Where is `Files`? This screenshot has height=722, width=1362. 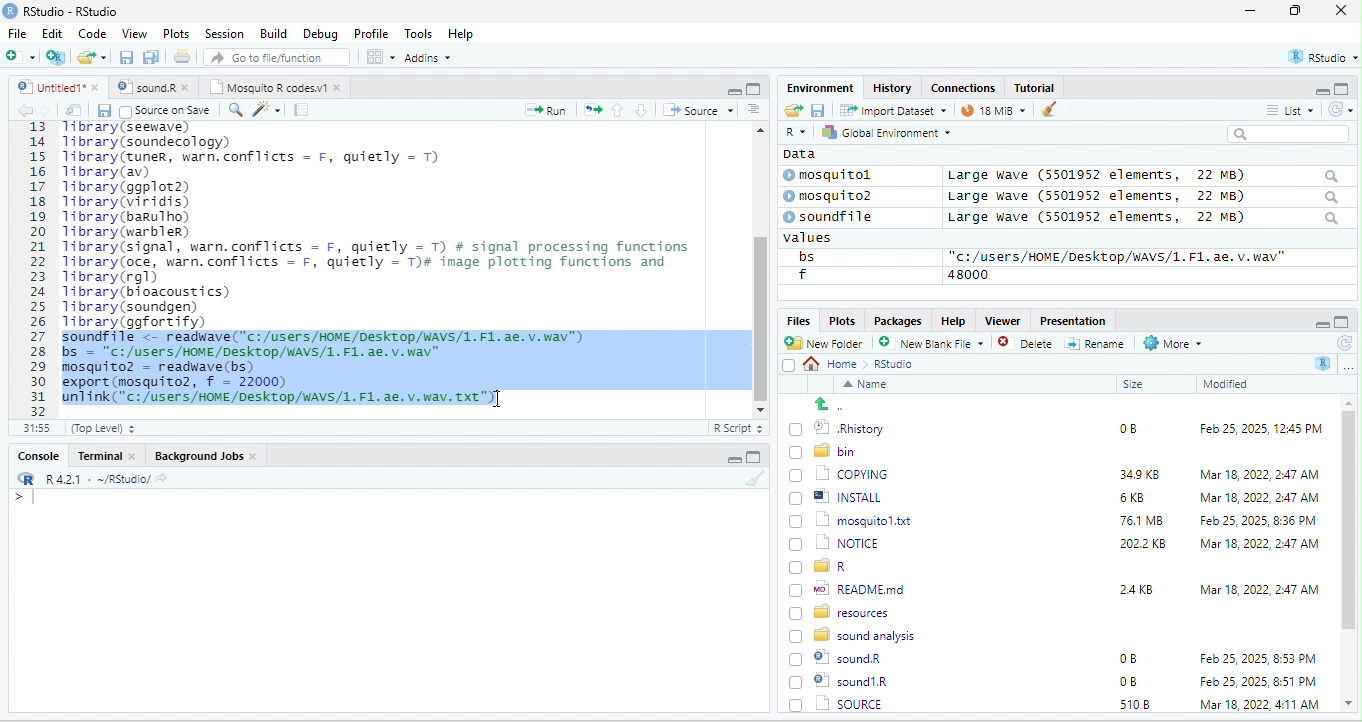
Files is located at coordinates (795, 320).